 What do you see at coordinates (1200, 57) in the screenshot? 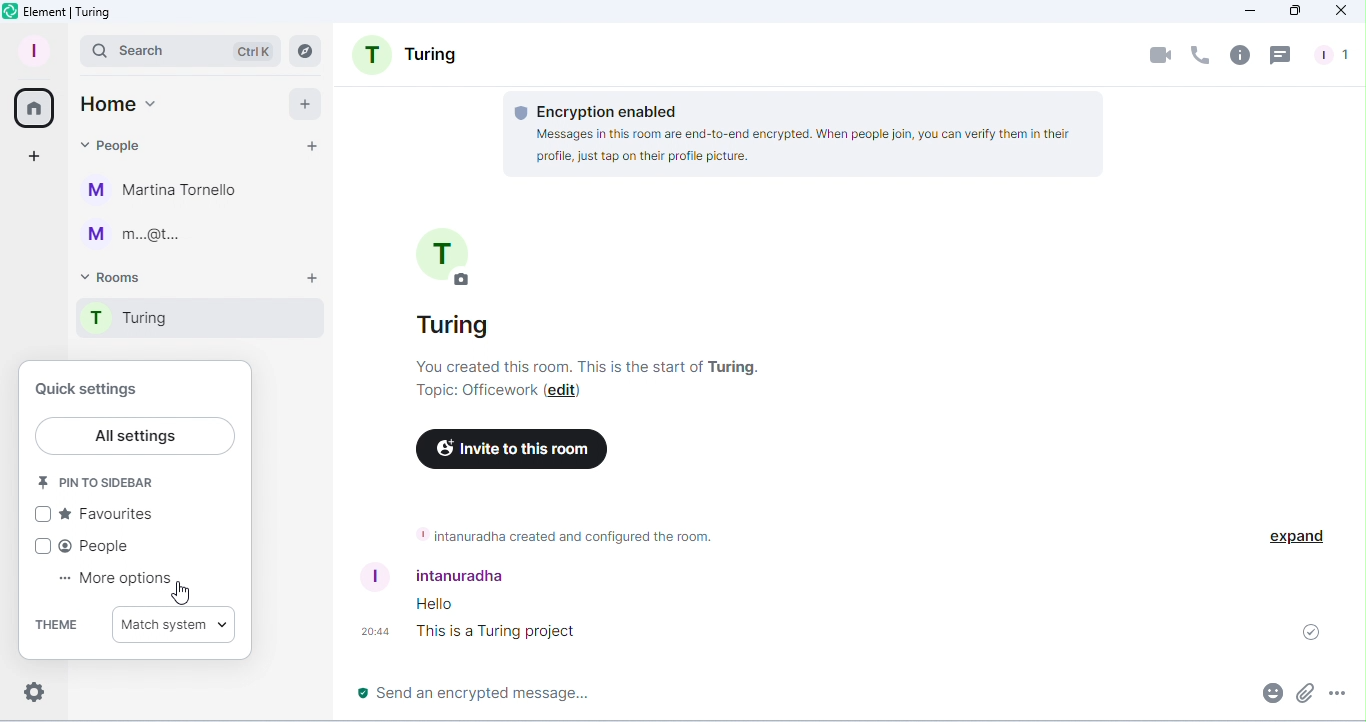
I see `Call` at bounding box center [1200, 57].